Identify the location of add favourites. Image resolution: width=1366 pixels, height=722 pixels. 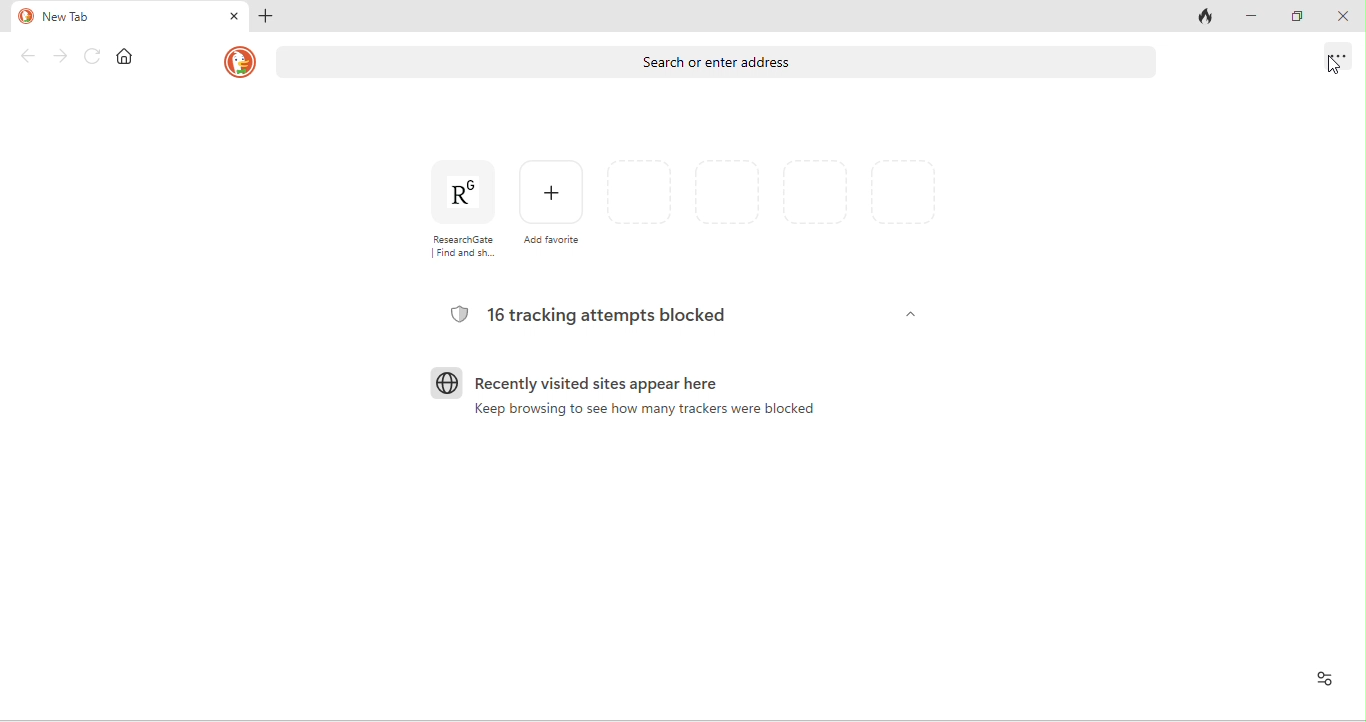
(553, 204).